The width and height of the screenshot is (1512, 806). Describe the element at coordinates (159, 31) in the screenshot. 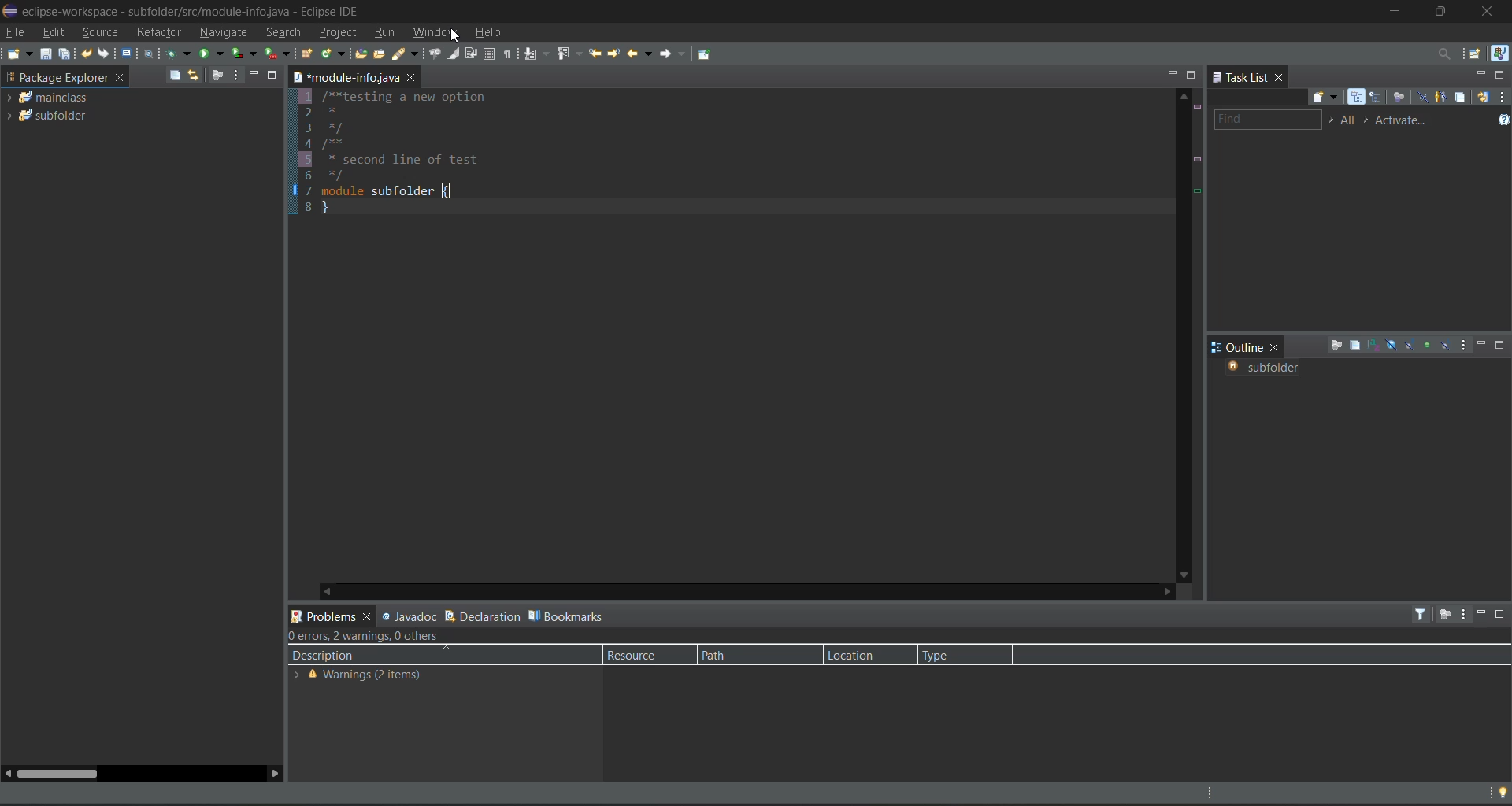

I see `refractor` at that location.